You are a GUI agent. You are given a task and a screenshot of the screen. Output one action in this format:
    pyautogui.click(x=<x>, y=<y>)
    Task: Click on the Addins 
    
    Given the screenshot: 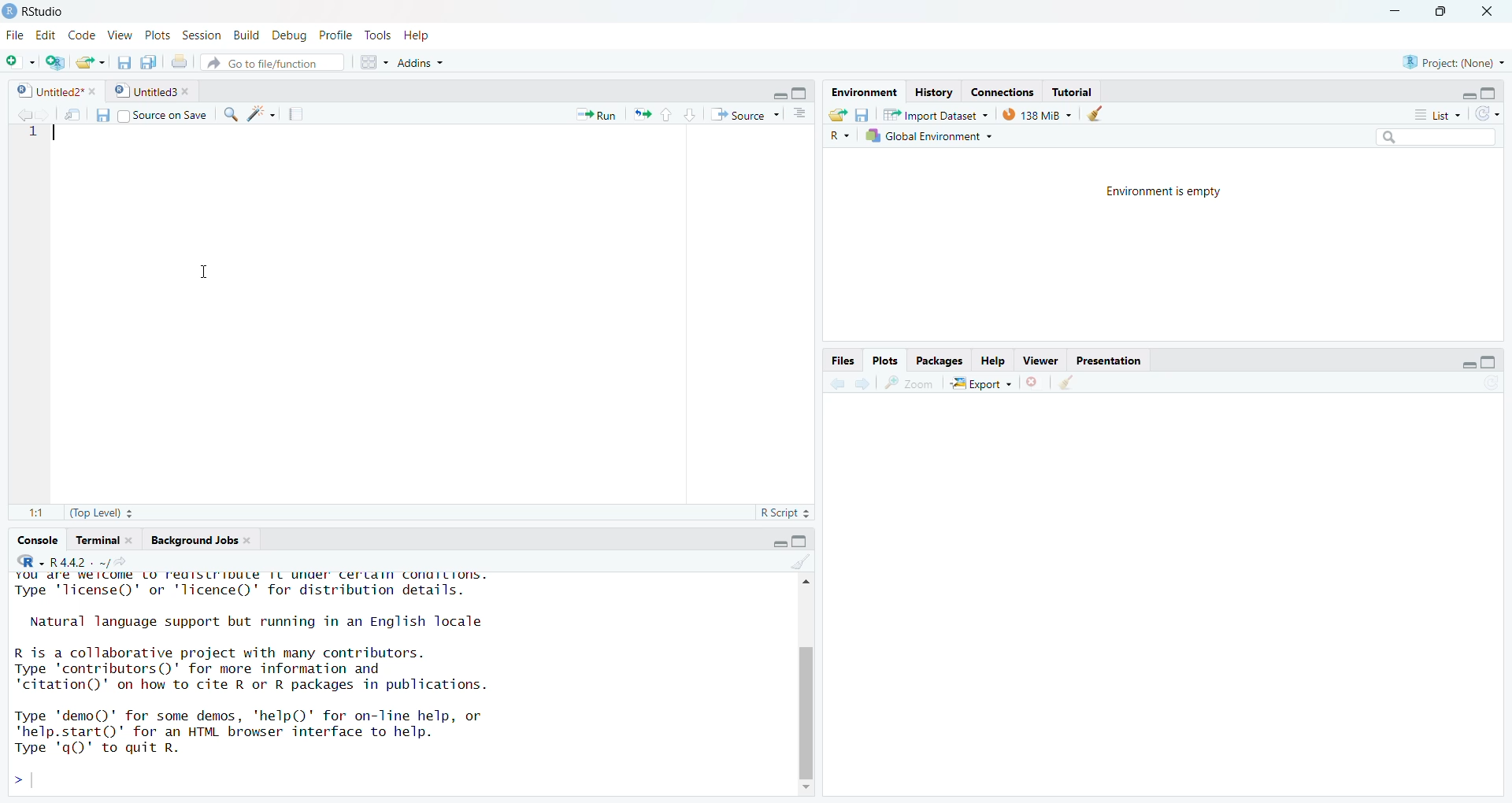 What is the action you would take?
    pyautogui.click(x=466, y=61)
    